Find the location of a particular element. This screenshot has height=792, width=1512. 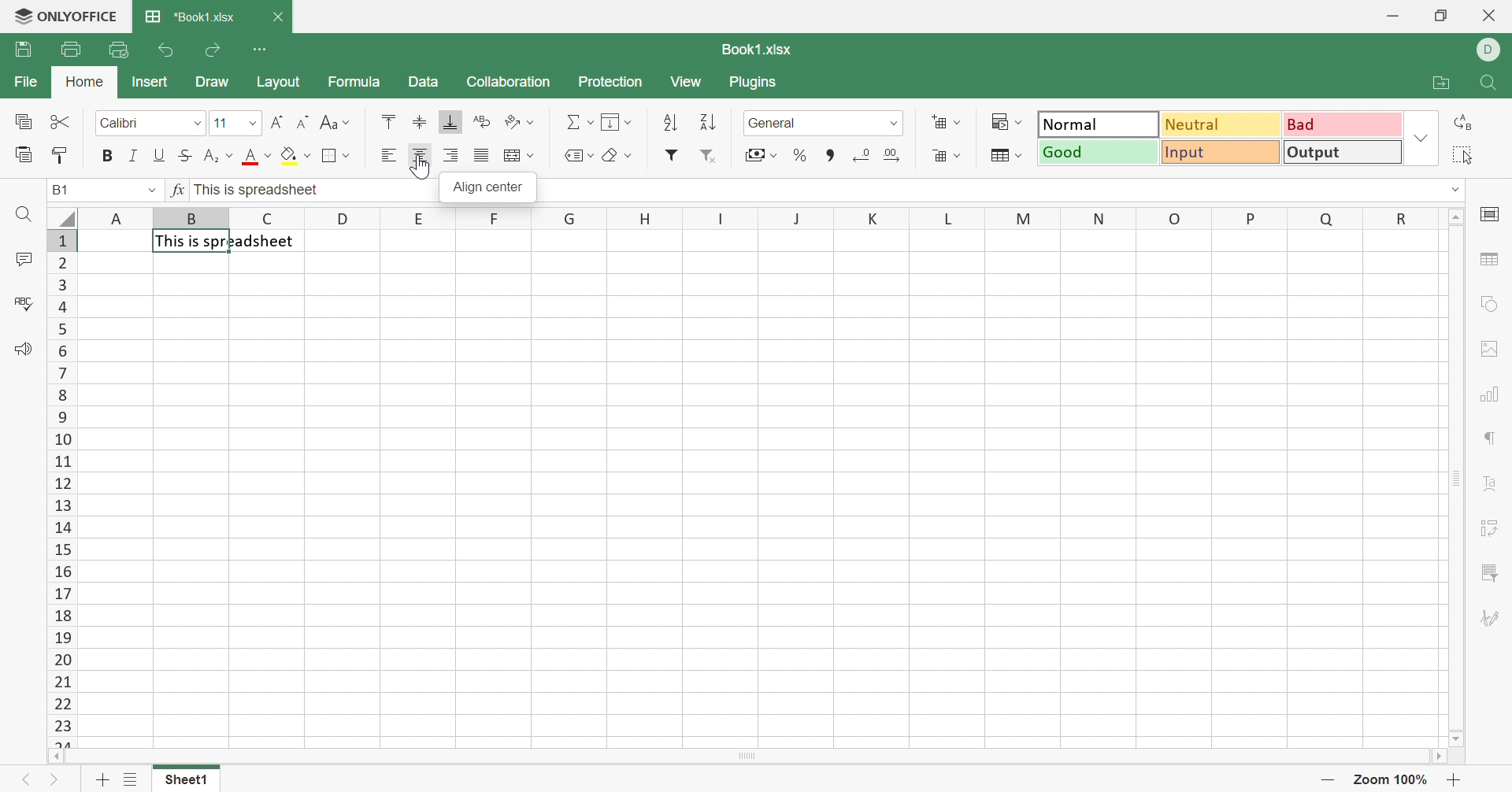

table settings is located at coordinates (1493, 261).